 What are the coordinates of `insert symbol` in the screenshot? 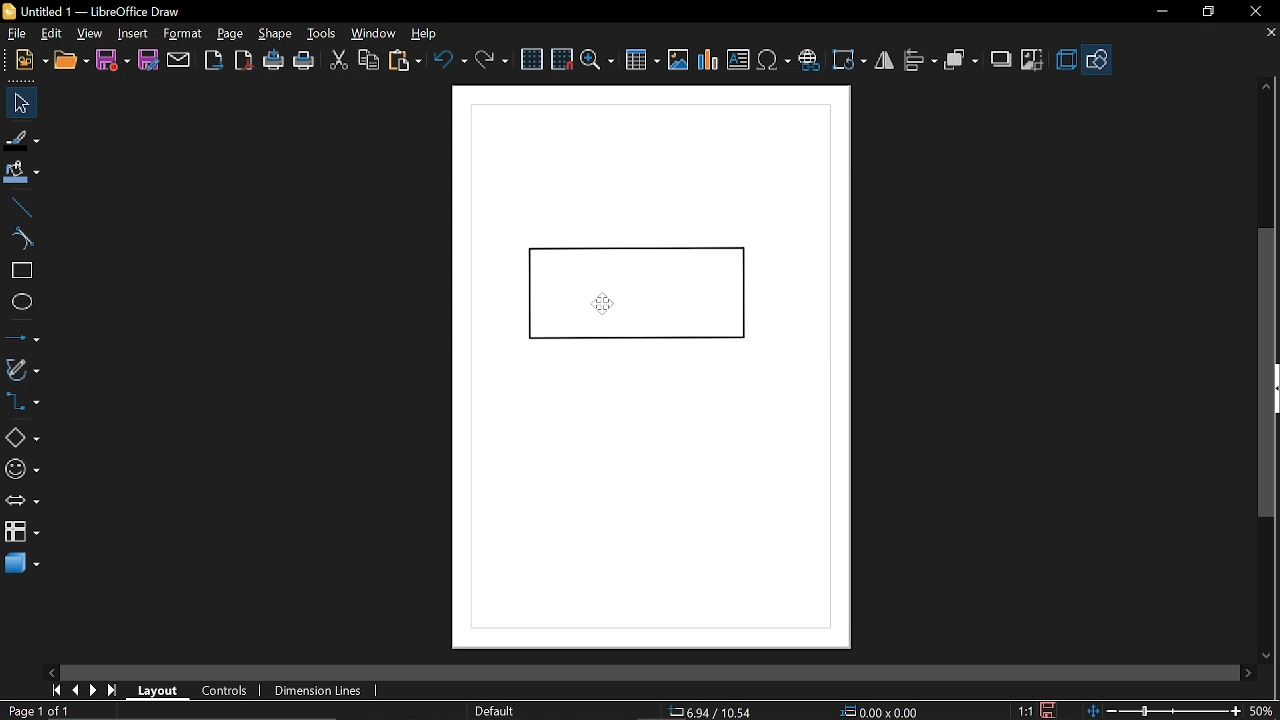 It's located at (774, 59).